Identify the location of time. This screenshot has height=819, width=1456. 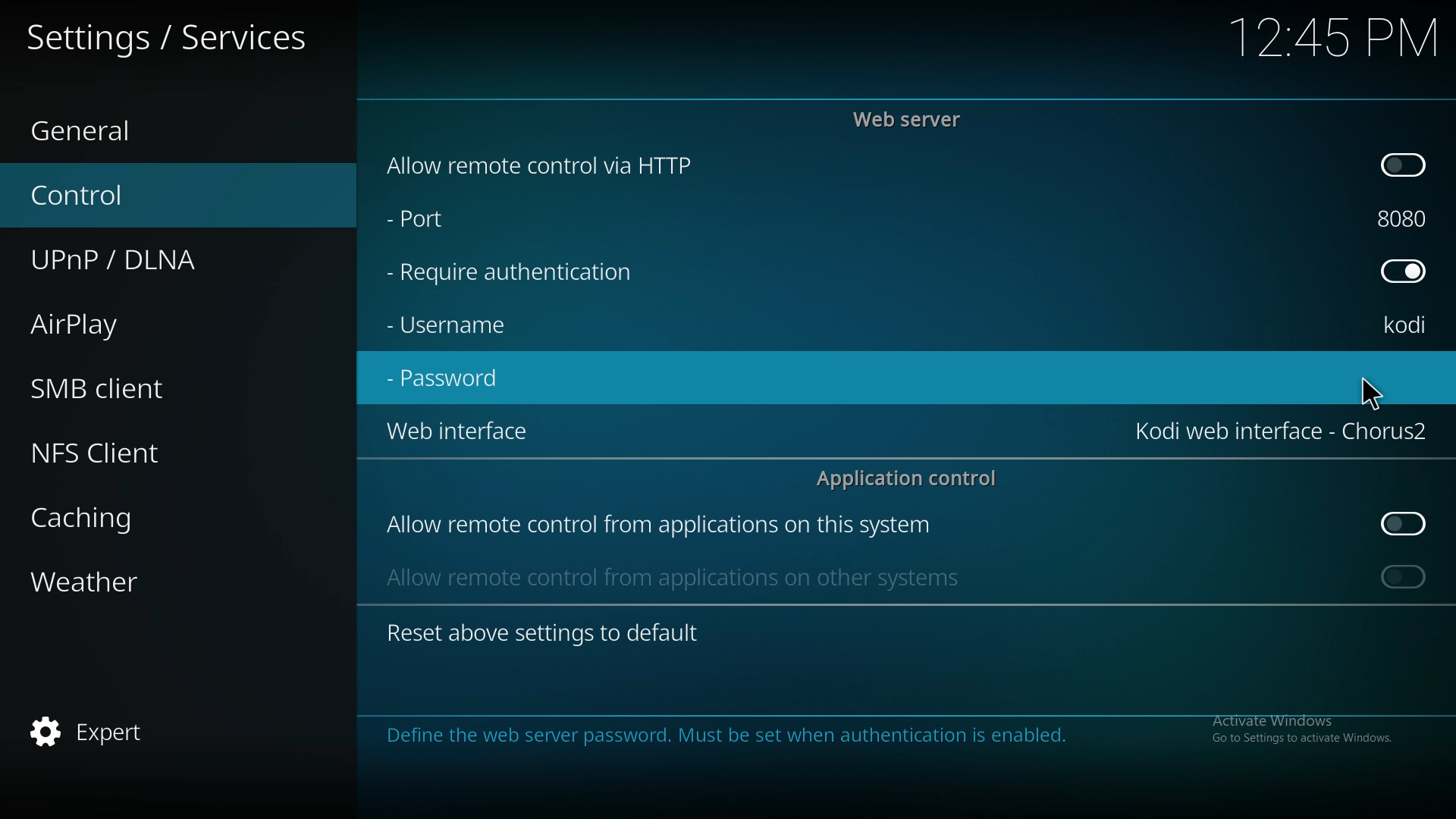
(1331, 37).